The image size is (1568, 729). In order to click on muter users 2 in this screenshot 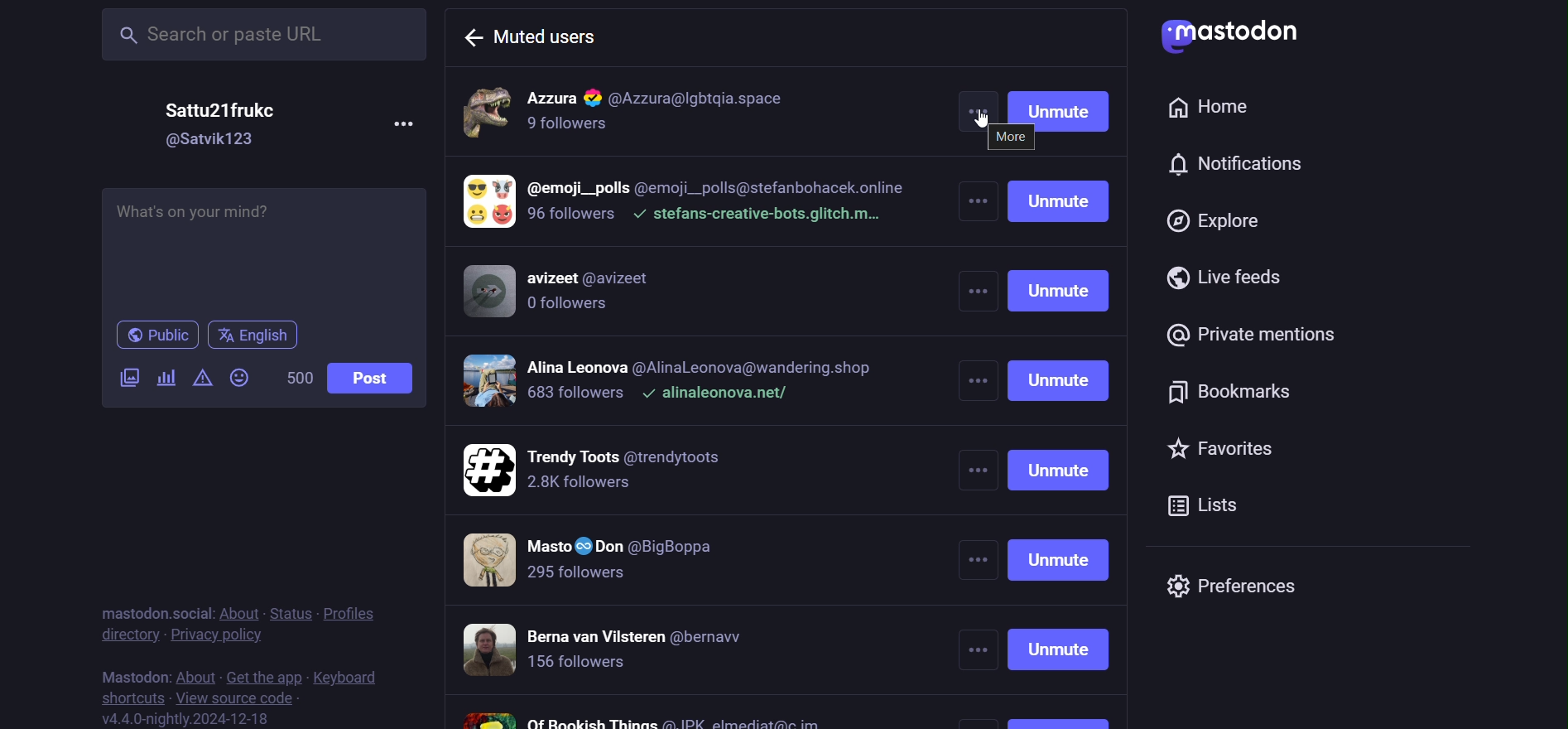, I will do `click(686, 204)`.